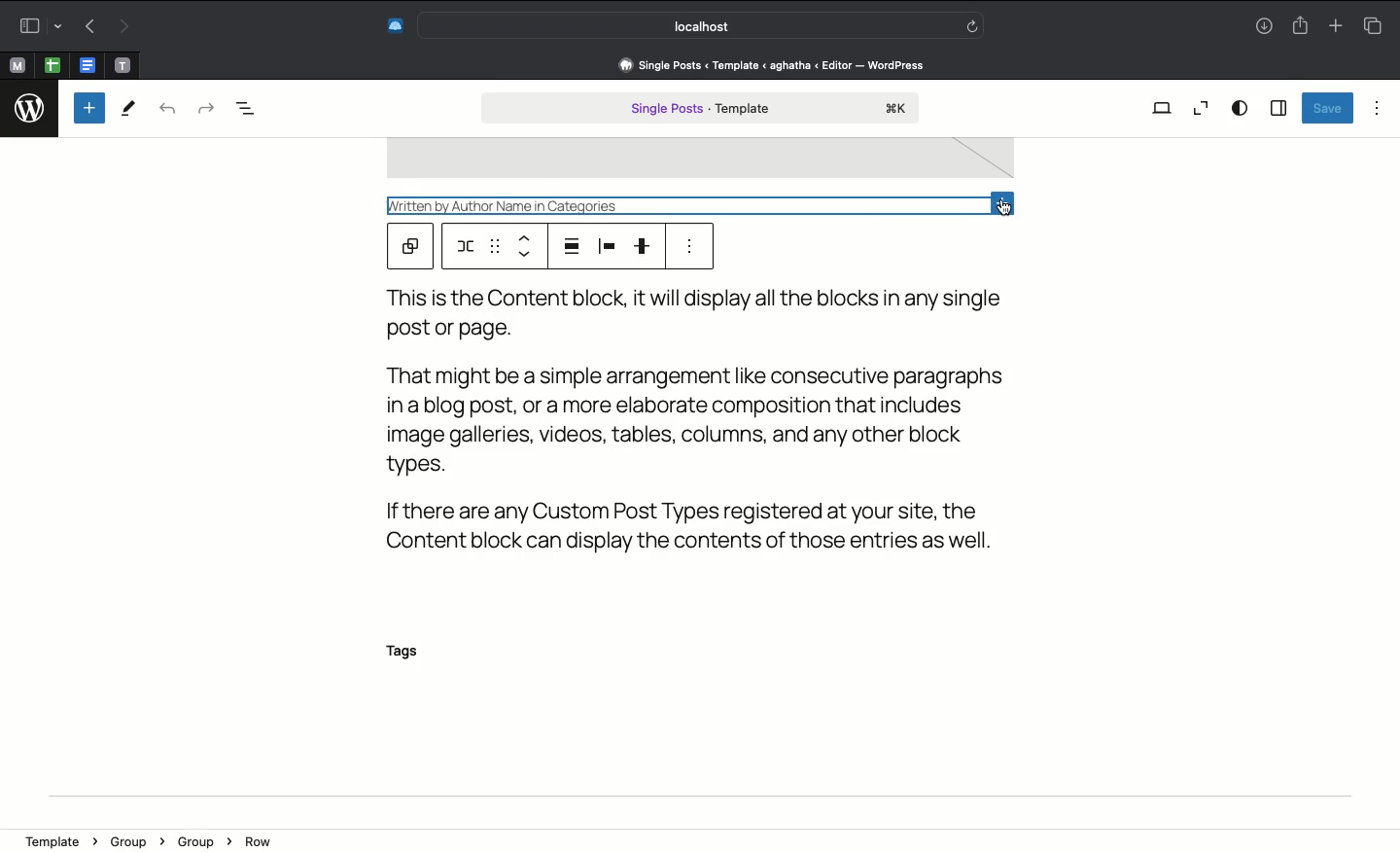 The width and height of the screenshot is (1400, 852). I want to click on Vertical alignment, so click(646, 246).